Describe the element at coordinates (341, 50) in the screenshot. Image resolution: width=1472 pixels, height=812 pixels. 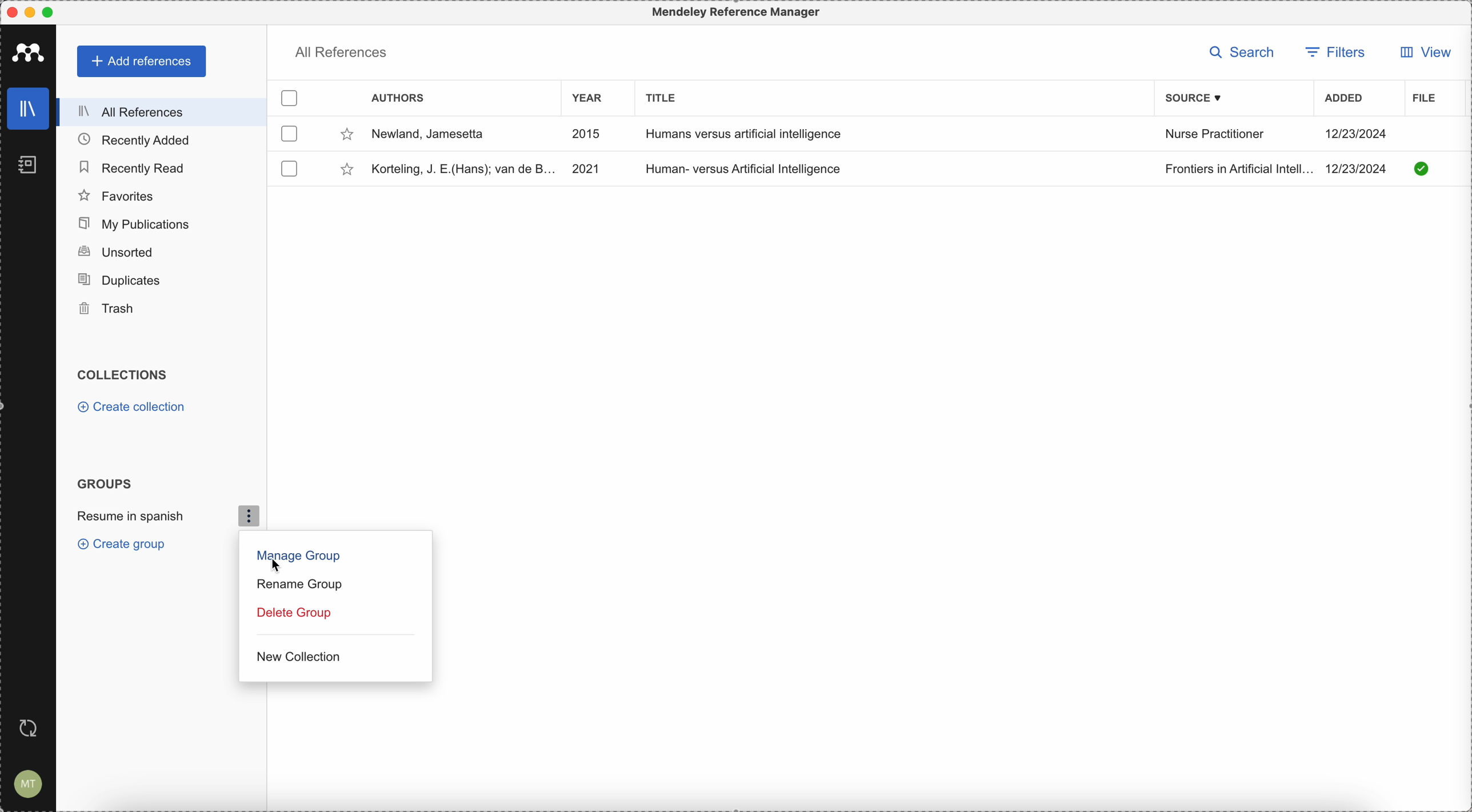
I see `all references` at that location.